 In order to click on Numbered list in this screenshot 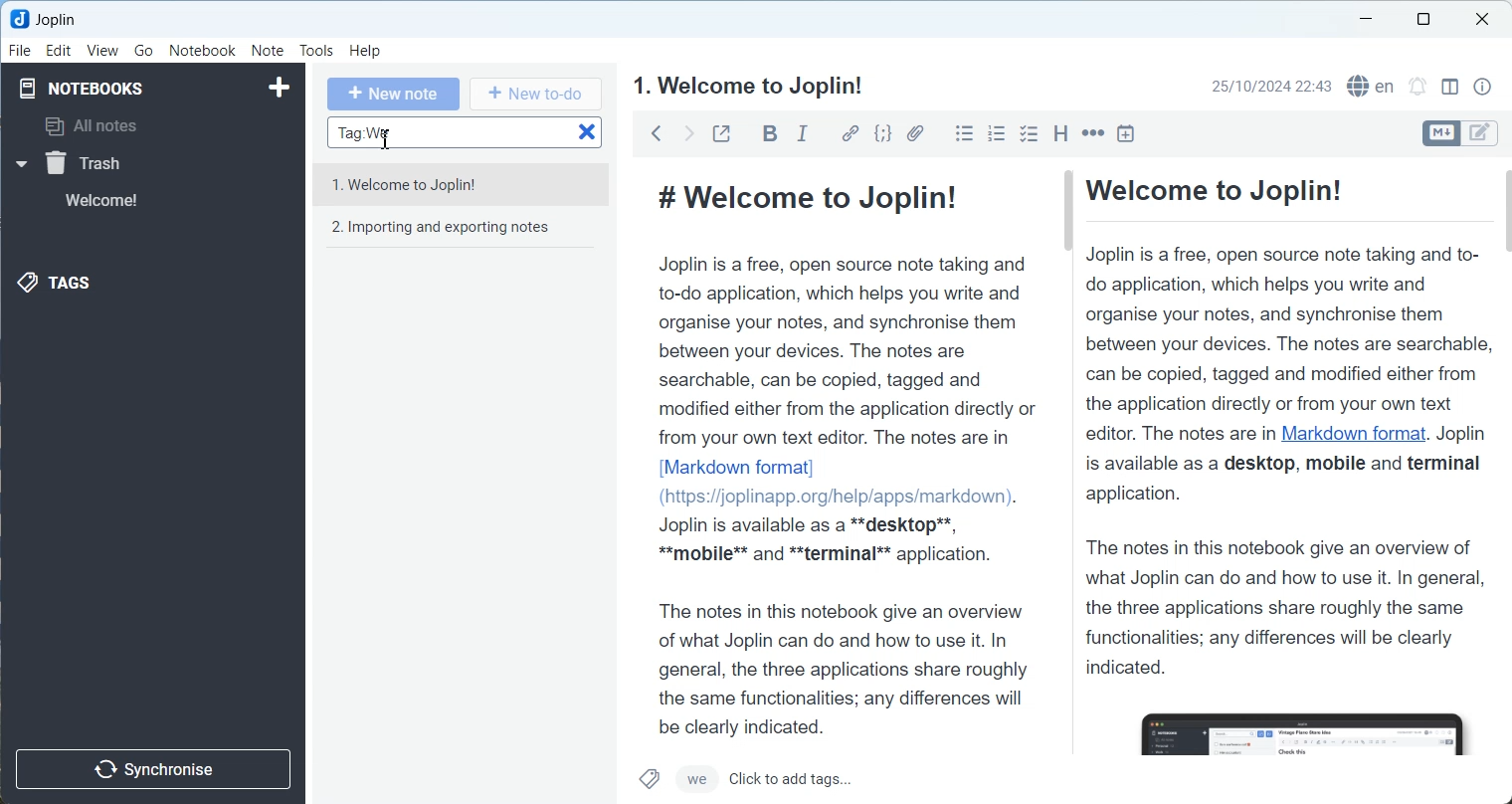, I will do `click(997, 133)`.